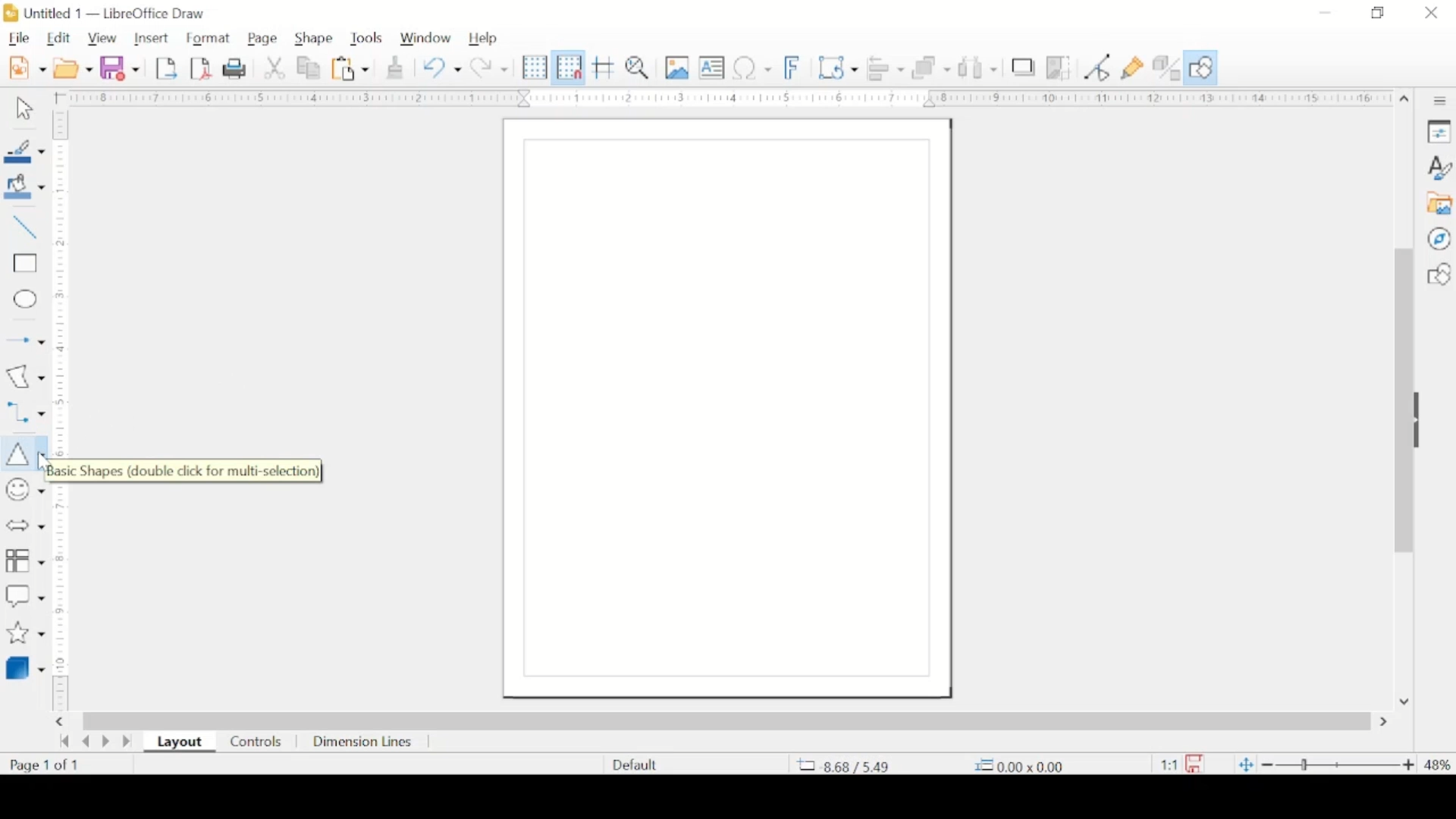 The image size is (1456, 819). Describe the element at coordinates (1323, 13) in the screenshot. I see `minimize` at that location.